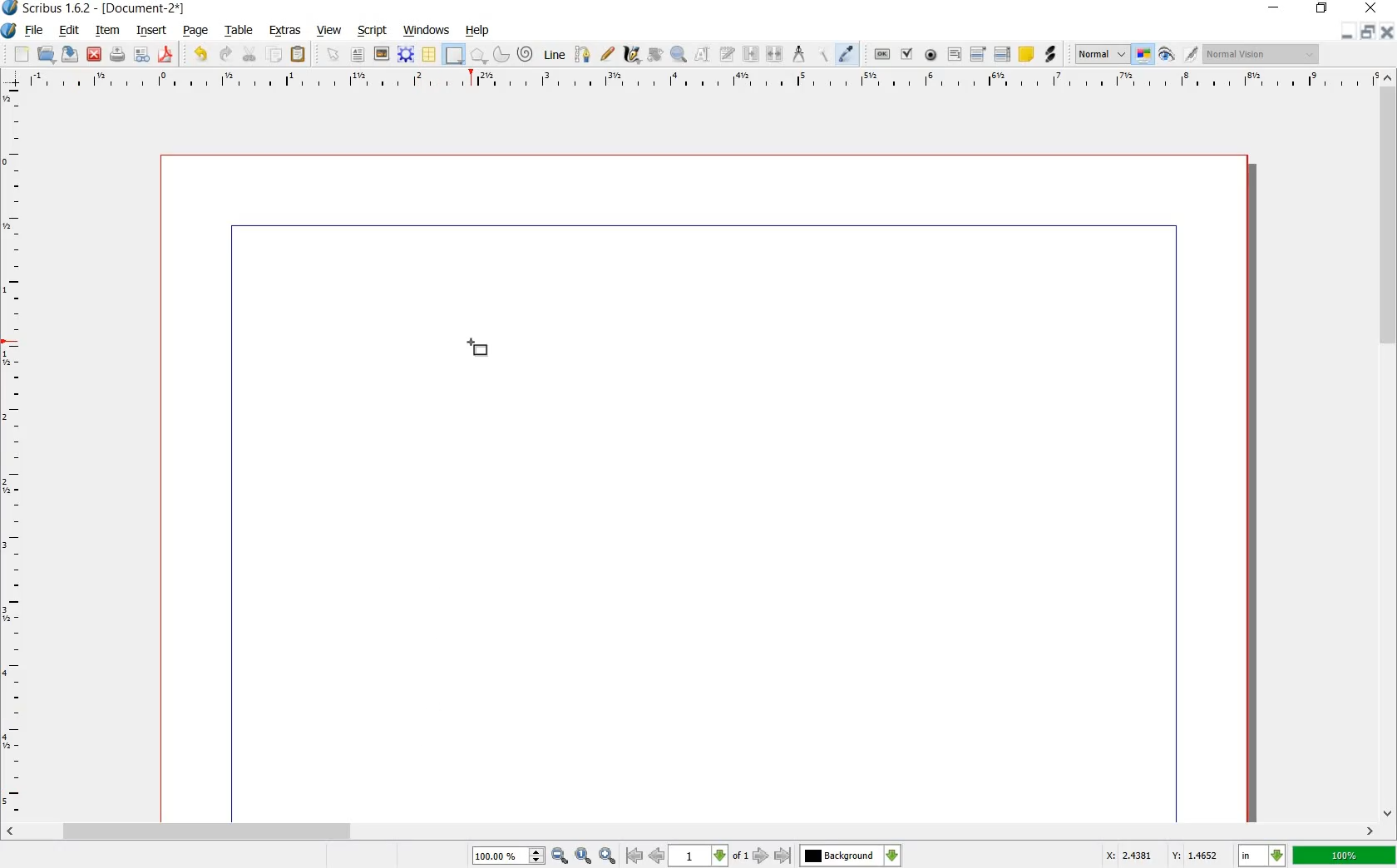 This screenshot has width=1397, height=868. What do you see at coordinates (728, 55) in the screenshot?
I see `EDIT TEXT WITH STORY EDITOR` at bounding box center [728, 55].